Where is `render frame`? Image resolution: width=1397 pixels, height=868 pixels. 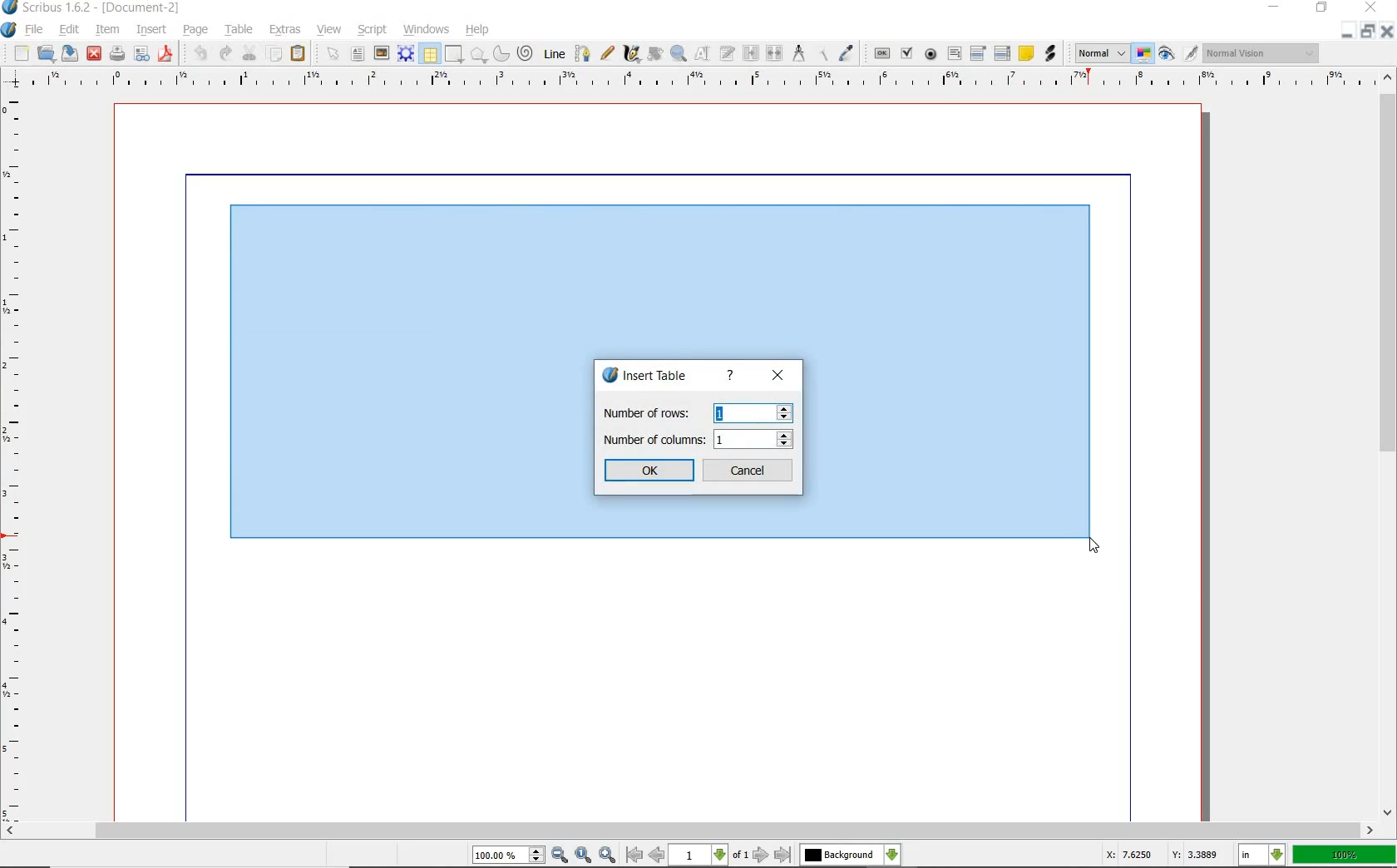 render frame is located at coordinates (406, 55).